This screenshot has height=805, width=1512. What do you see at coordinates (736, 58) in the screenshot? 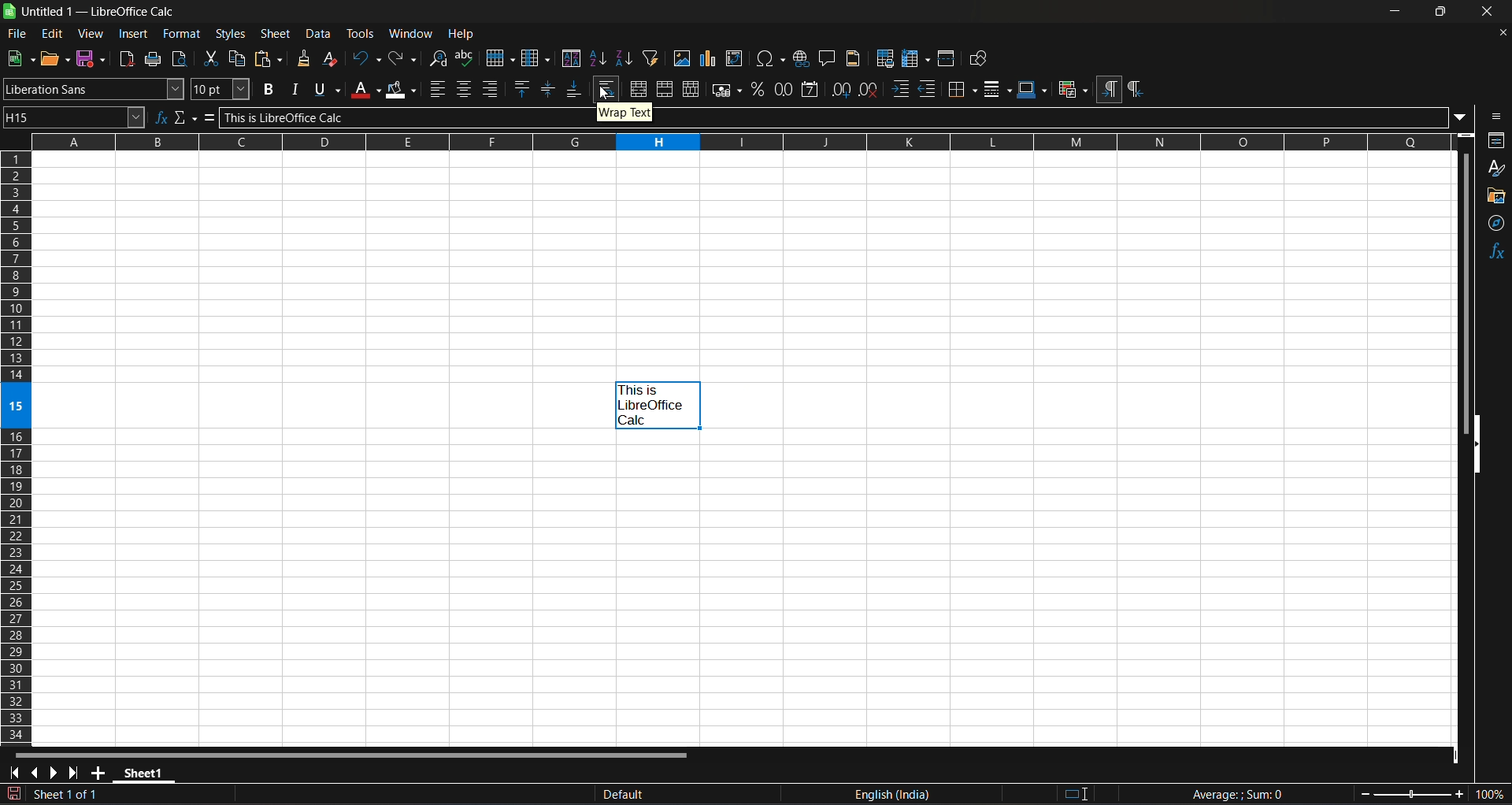
I see `insert or edit pivot table` at bounding box center [736, 58].